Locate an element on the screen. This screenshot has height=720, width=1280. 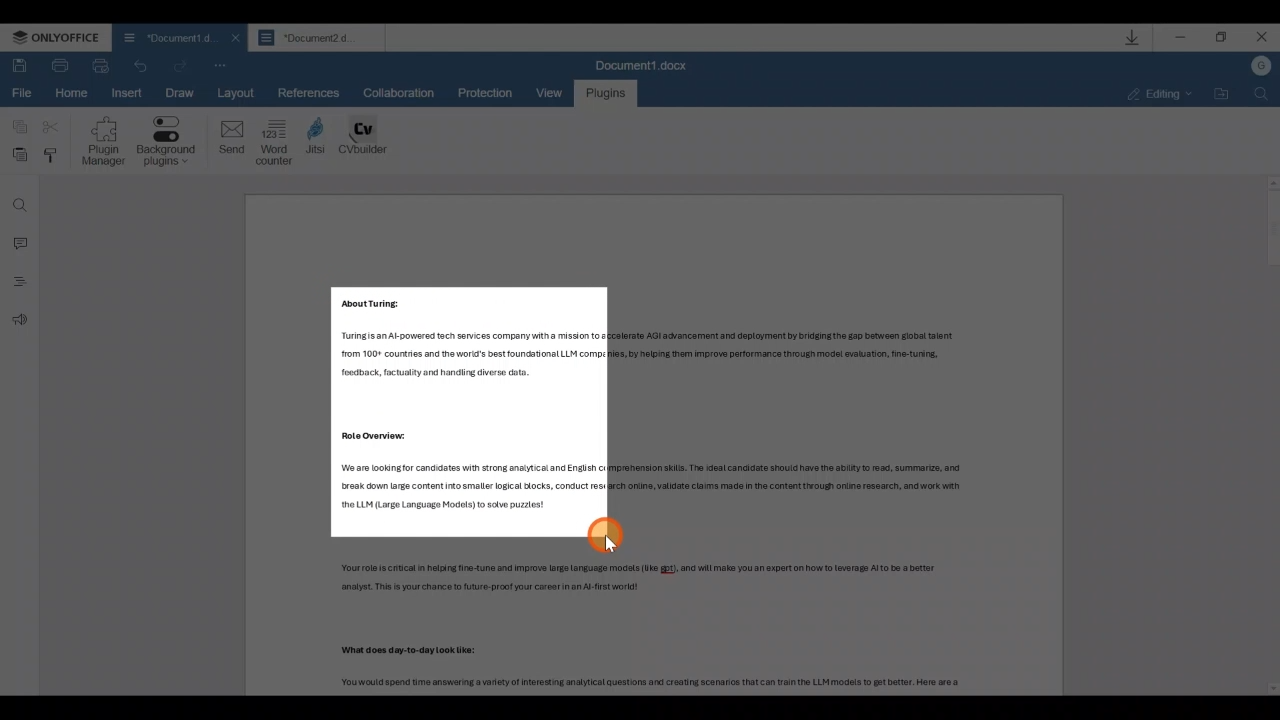
Cursor is located at coordinates (608, 534).